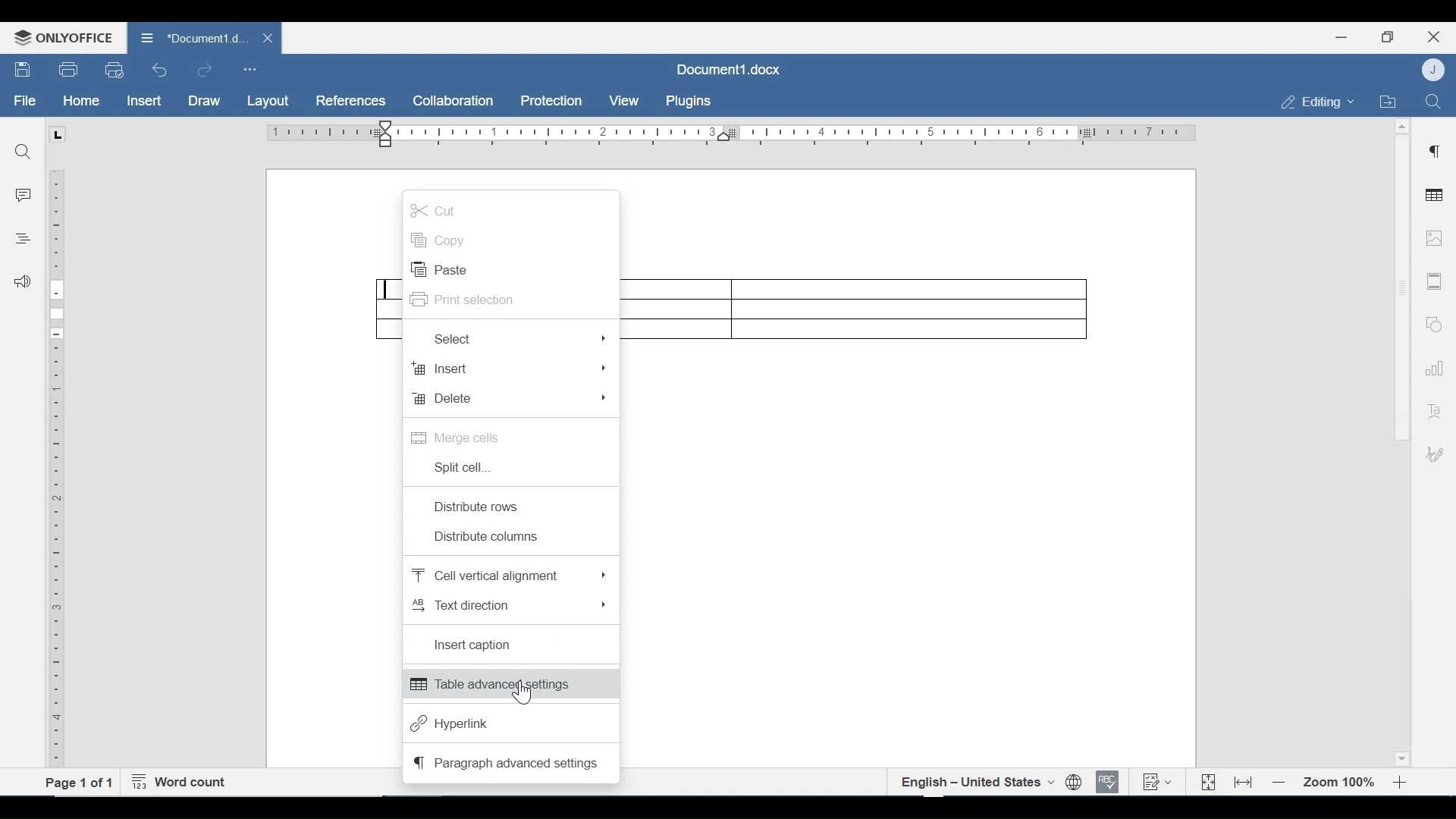 The height and width of the screenshot is (819, 1456). What do you see at coordinates (625, 101) in the screenshot?
I see `View` at bounding box center [625, 101].